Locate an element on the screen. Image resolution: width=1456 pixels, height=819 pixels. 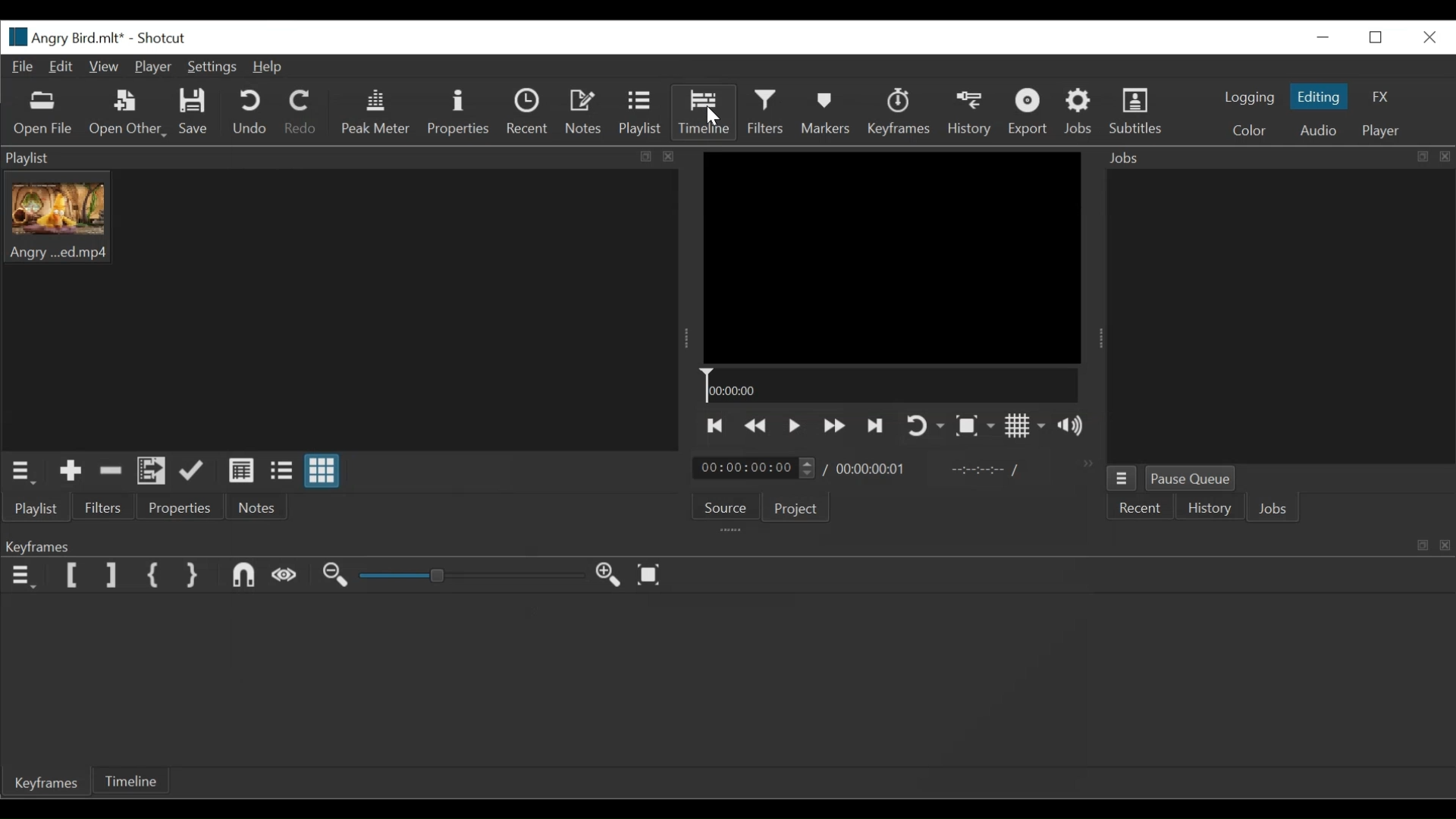
Color is located at coordinates (1254, 130).